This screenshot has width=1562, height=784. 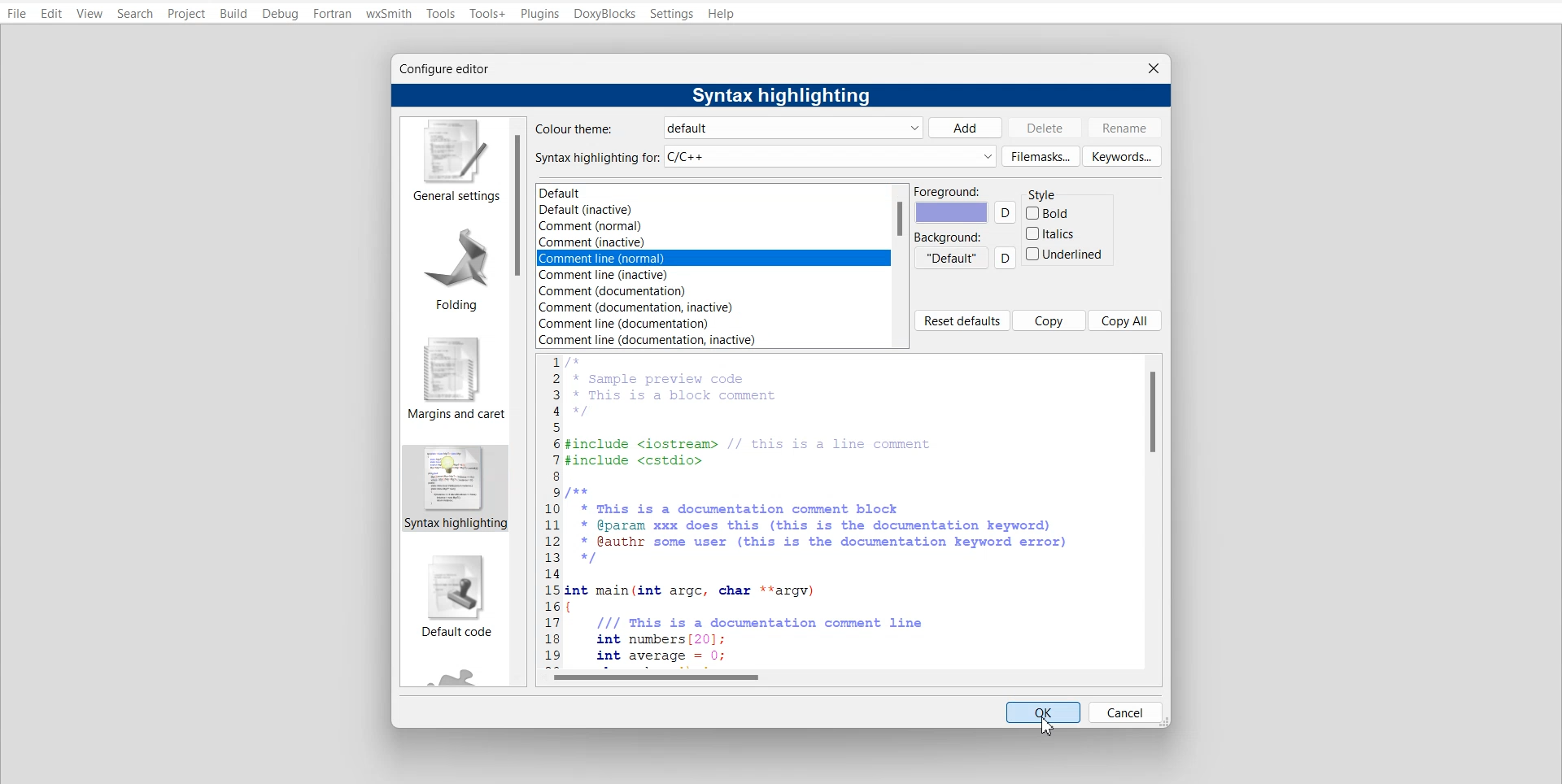 I want to click on Comment (inactive), so click(x=642, y=243).